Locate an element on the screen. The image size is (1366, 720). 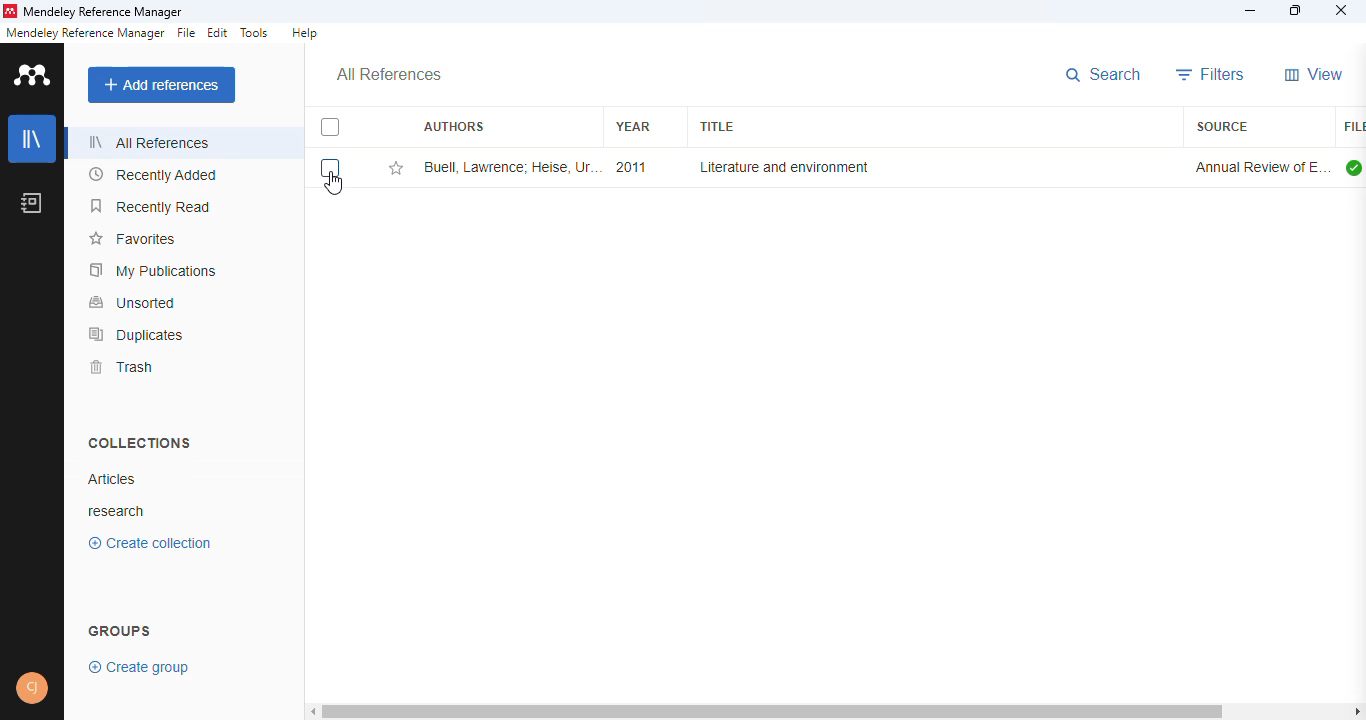
logo is located at coordinates (33, 75).